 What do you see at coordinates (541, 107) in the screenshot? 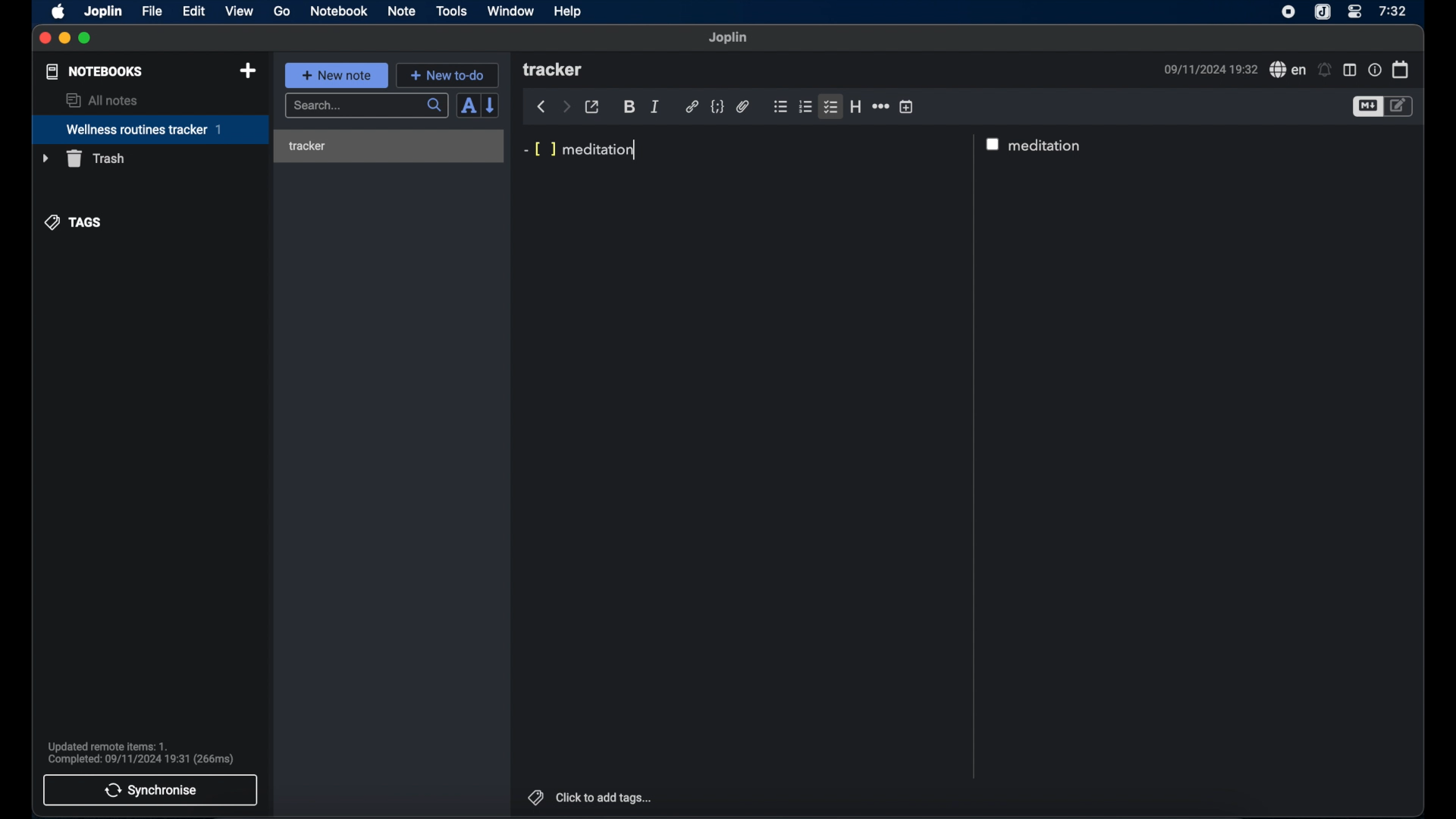
I see `back` at bounding box center [541, 107].